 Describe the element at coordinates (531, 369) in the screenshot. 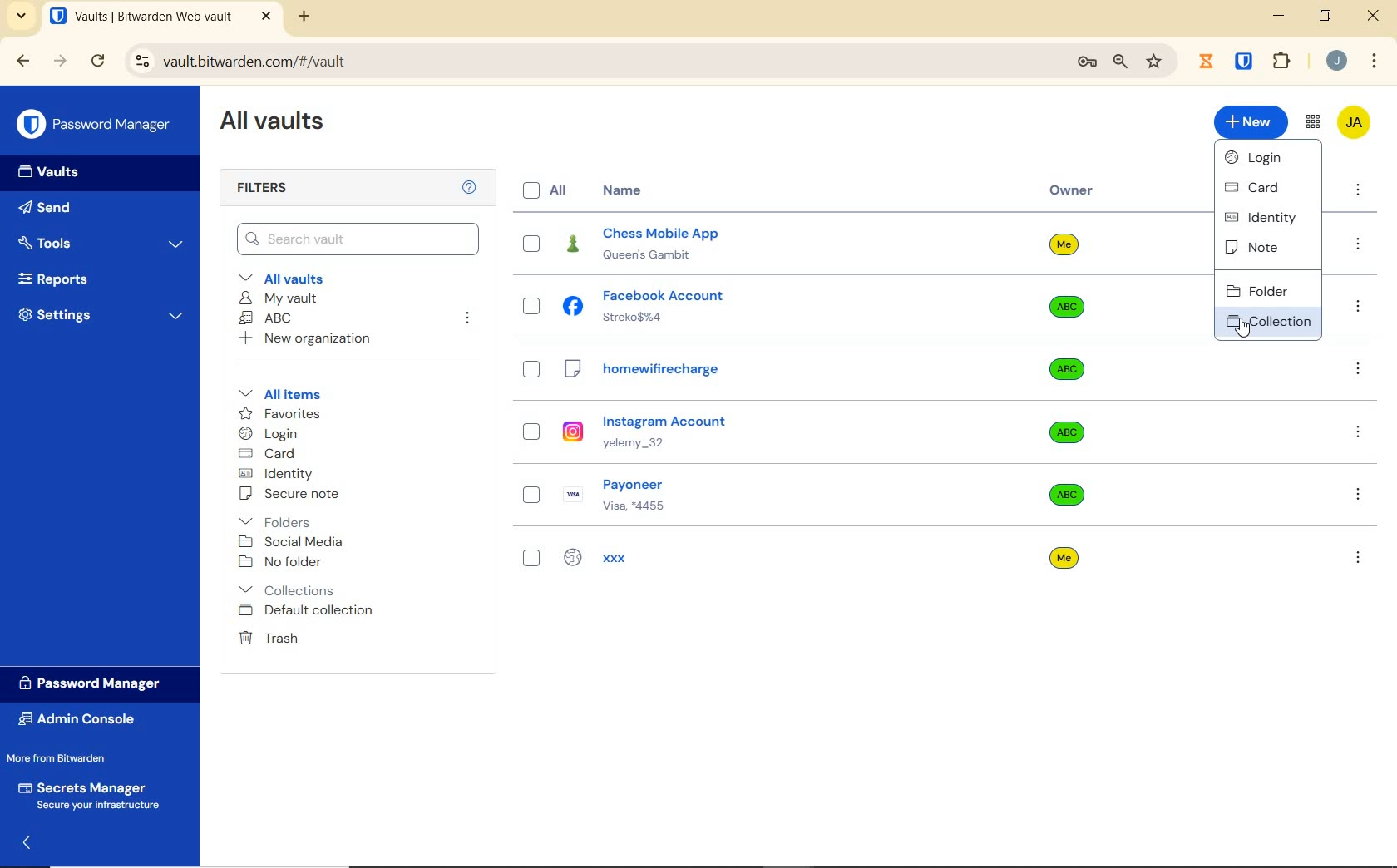

I see `select entry` at that location.